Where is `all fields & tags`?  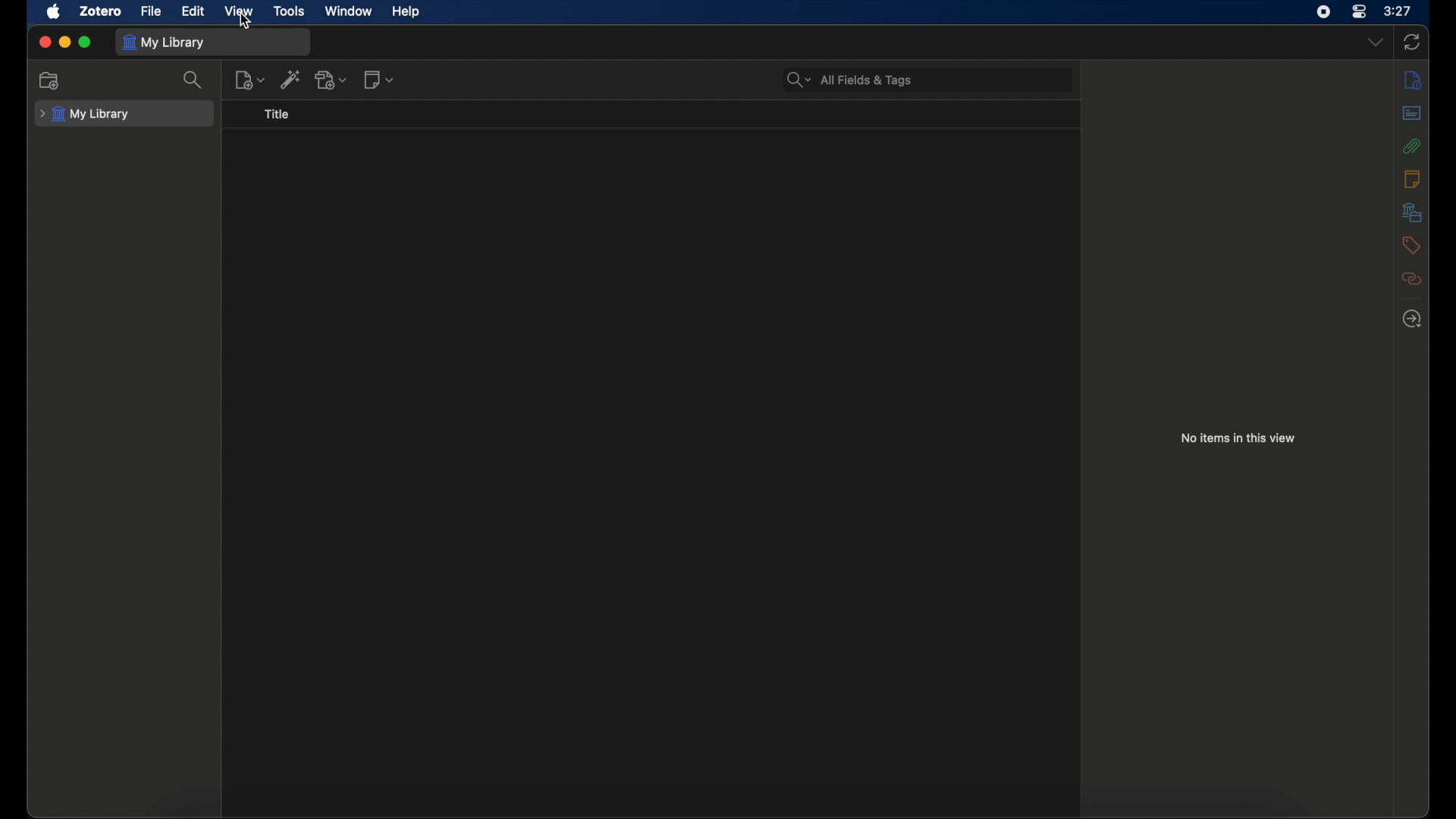
all fields & tags is located at coordinates (850, 80).